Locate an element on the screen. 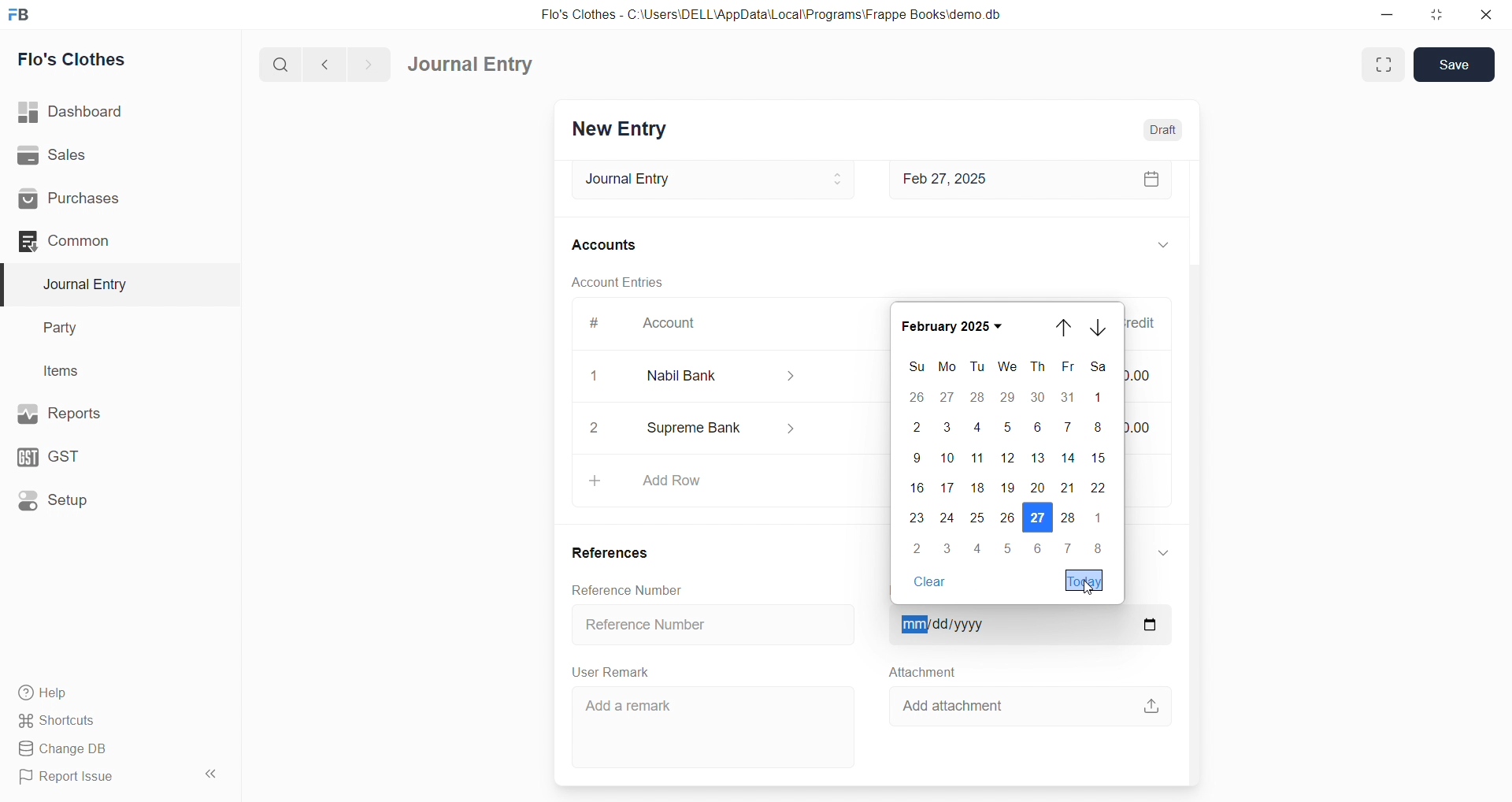 This screenshot has height=802, width=1512. 28 is located at coordinates (974, 399).